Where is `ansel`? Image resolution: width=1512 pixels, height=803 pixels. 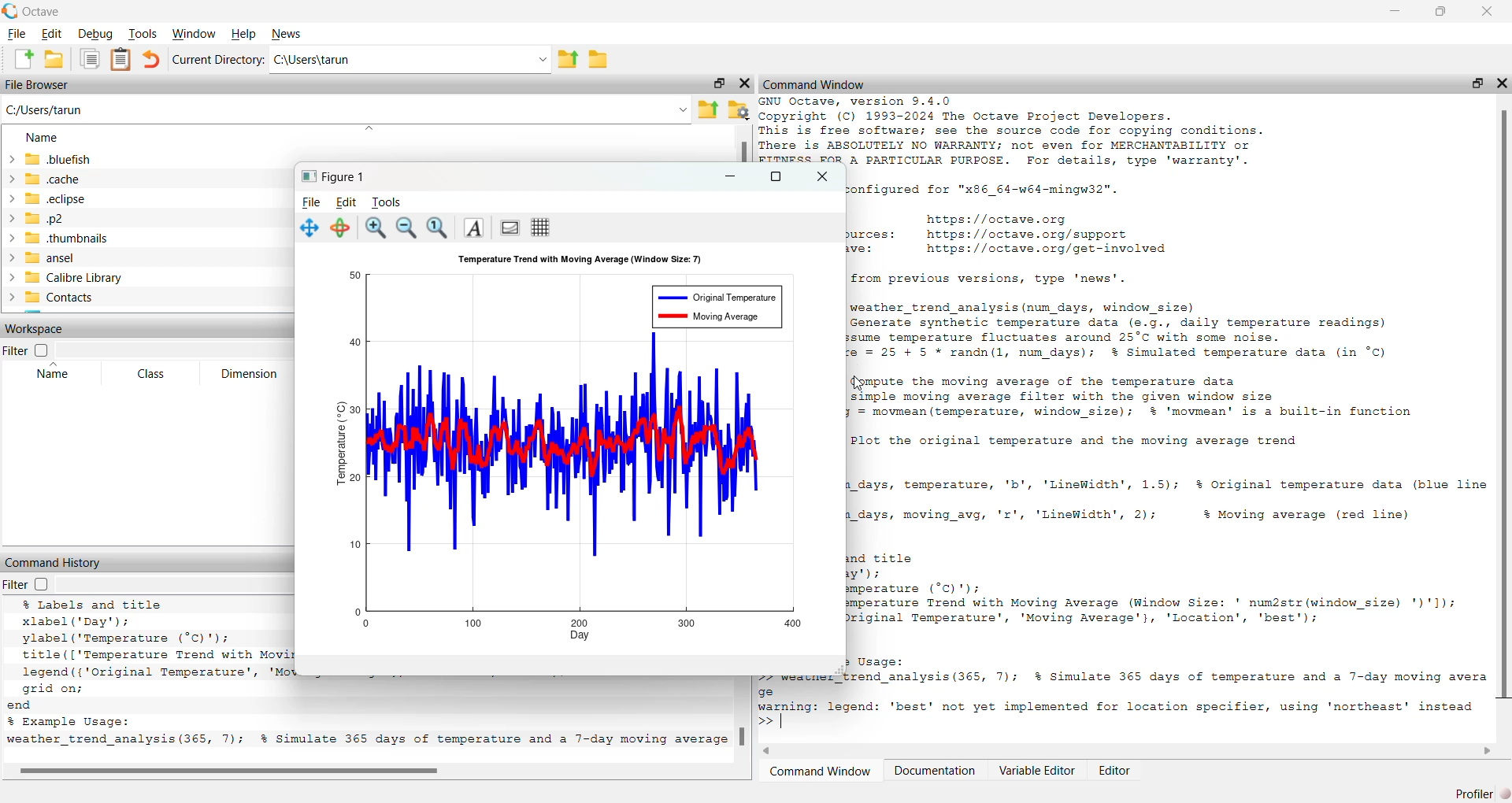 ansel is located at coordinates (41, 257).